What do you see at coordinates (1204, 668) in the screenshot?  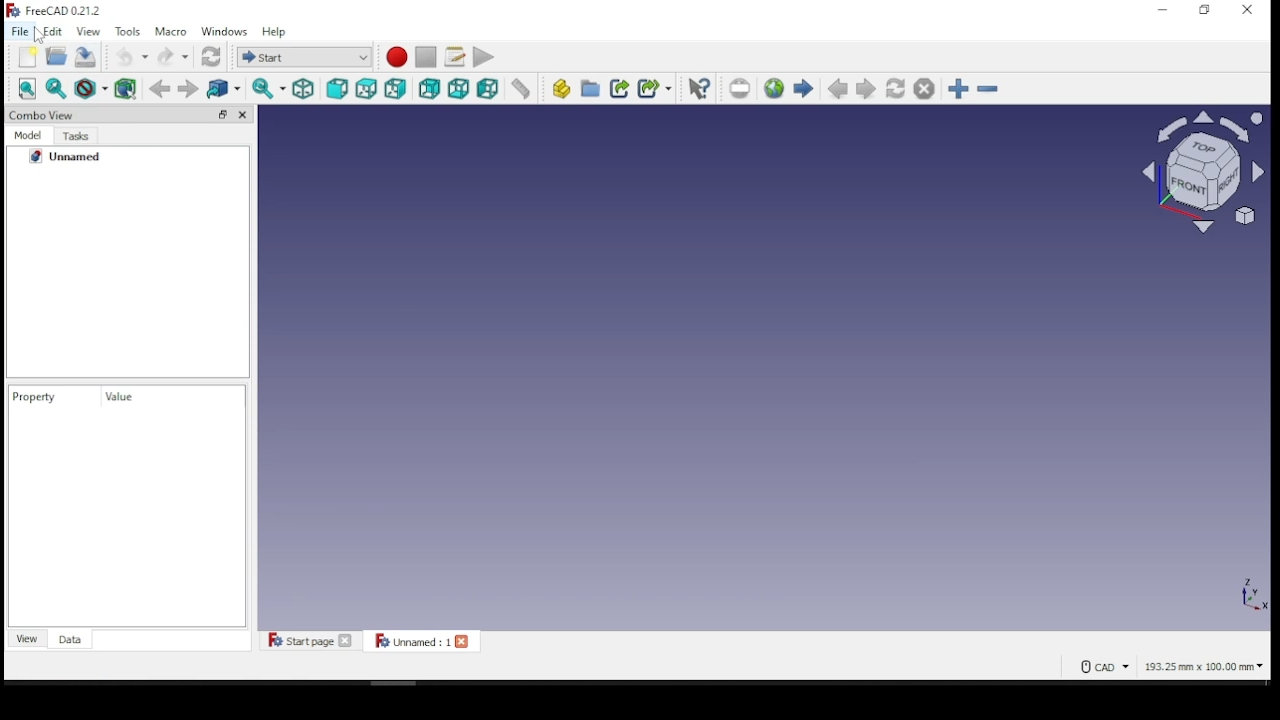 I see `193.35 mm x 100.00 mm` at bounding box center [1204, 668].